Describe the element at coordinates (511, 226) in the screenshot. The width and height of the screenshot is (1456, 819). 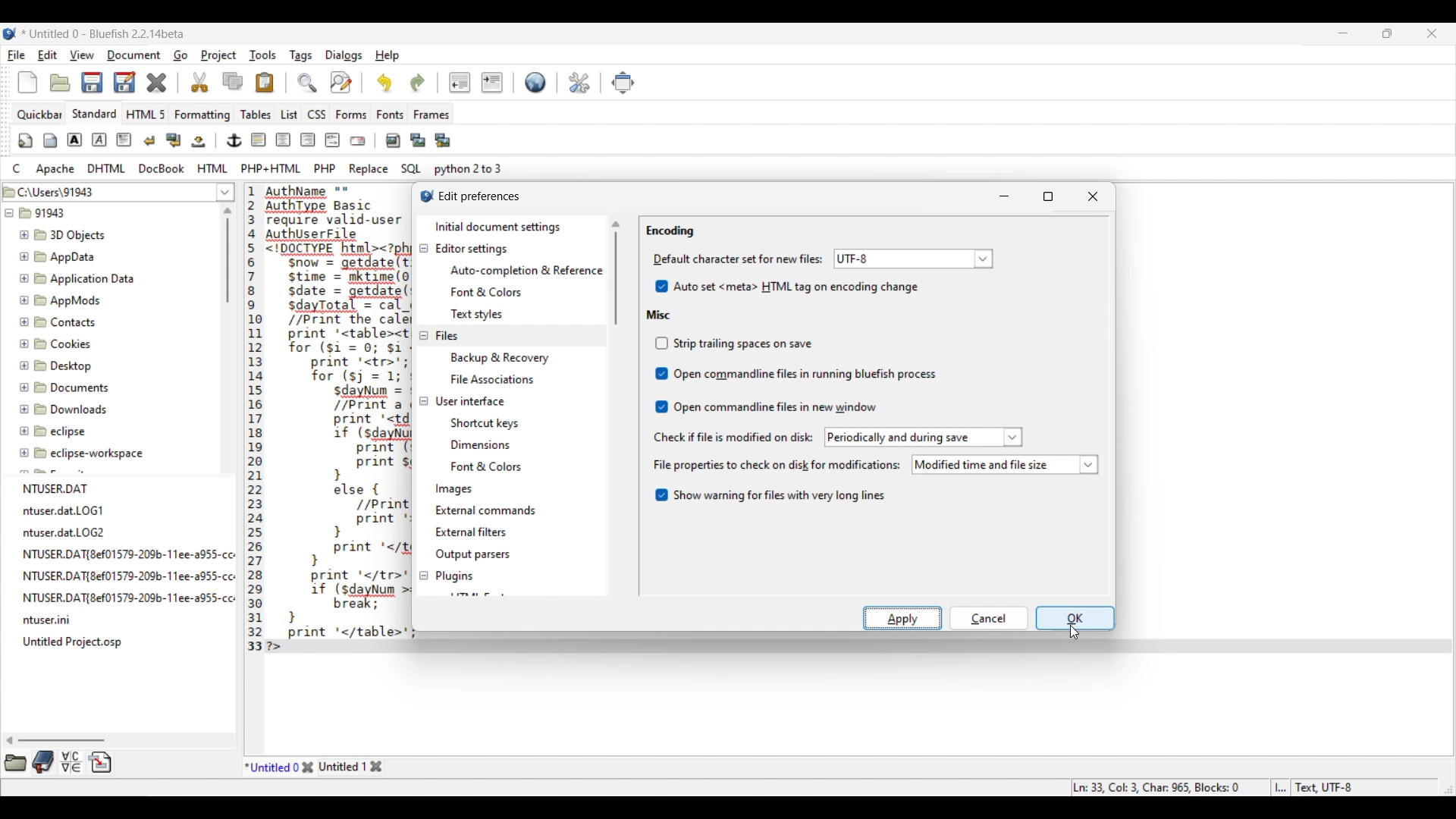
I see `Initial document settings, current selection highlighted` at that location.